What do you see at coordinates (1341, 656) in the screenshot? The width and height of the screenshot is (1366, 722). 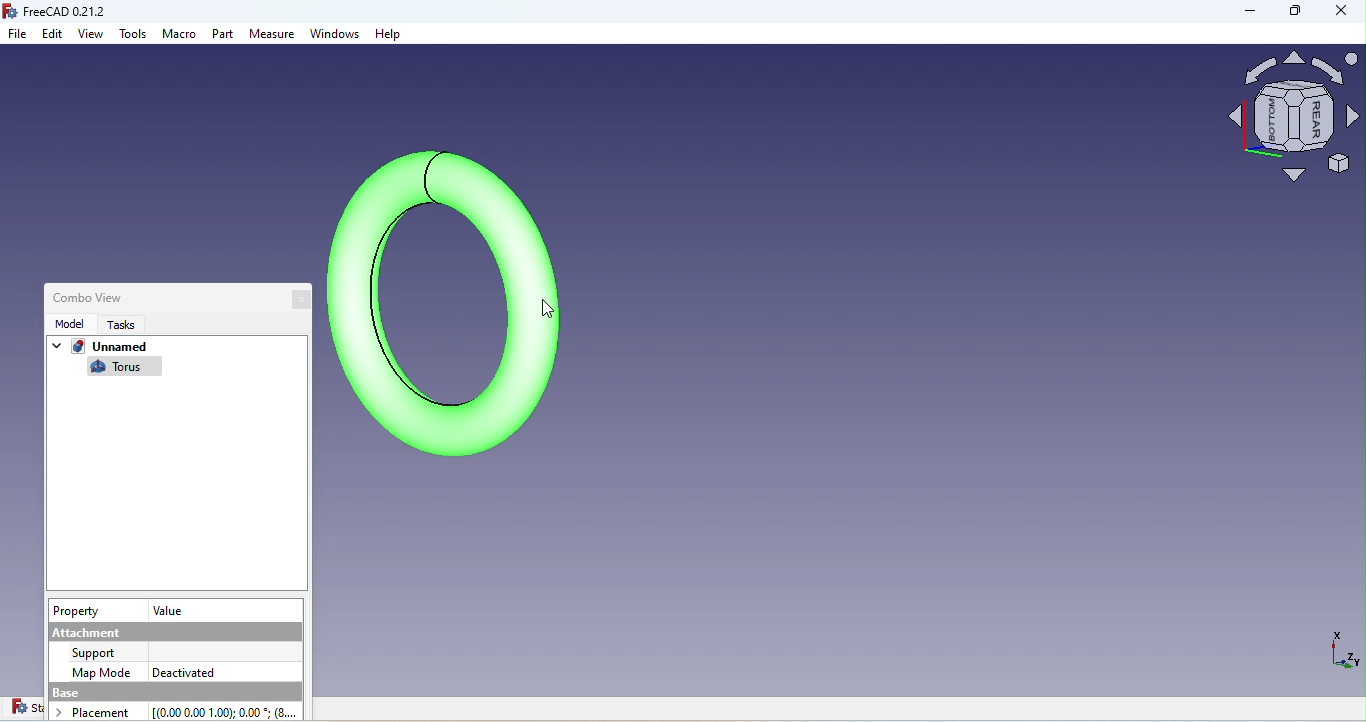 I see `Dimensions` at bounding box center [1341, 656].